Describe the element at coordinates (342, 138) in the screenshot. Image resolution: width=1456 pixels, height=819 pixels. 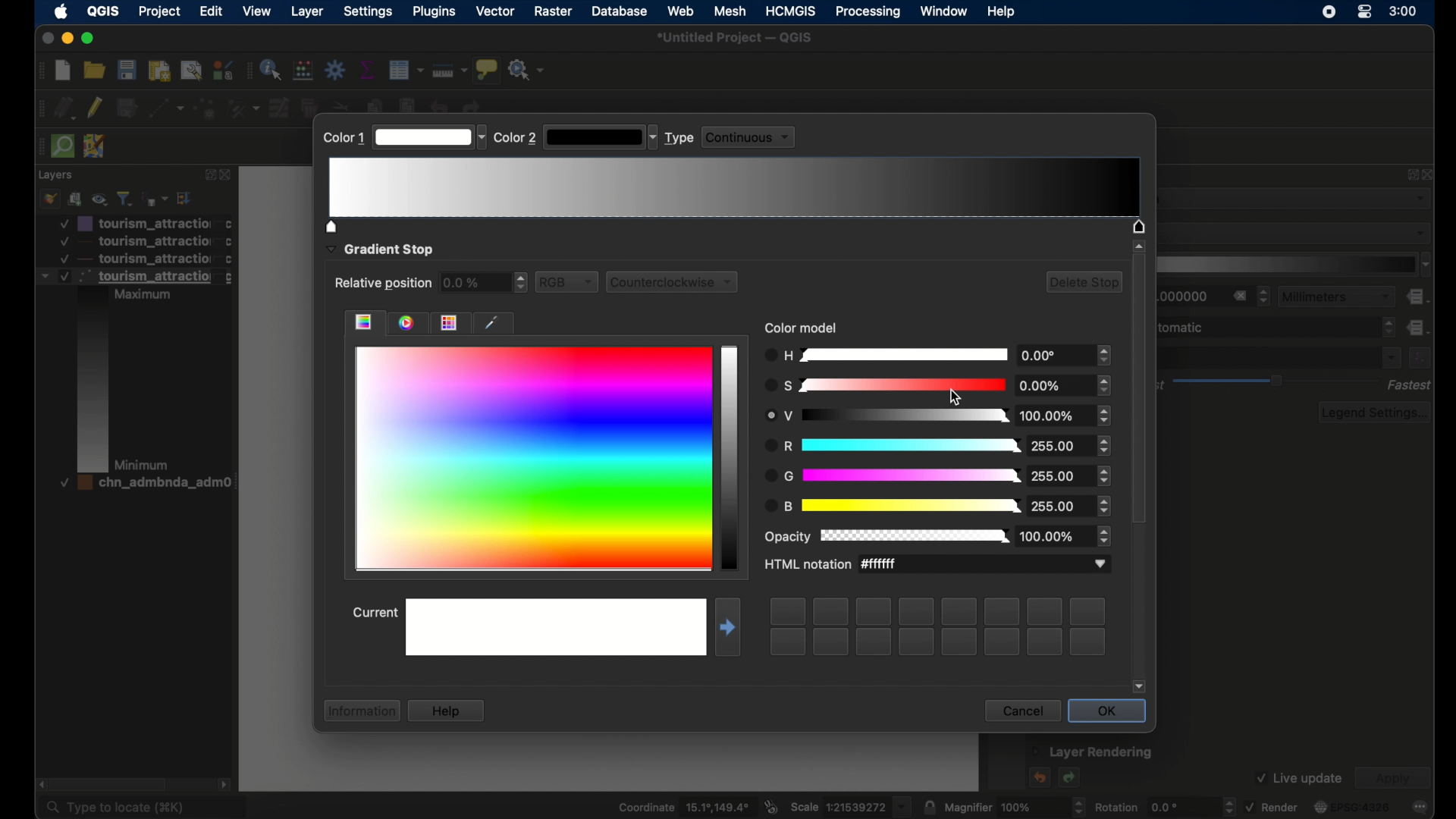
I see `color 1` at that location.